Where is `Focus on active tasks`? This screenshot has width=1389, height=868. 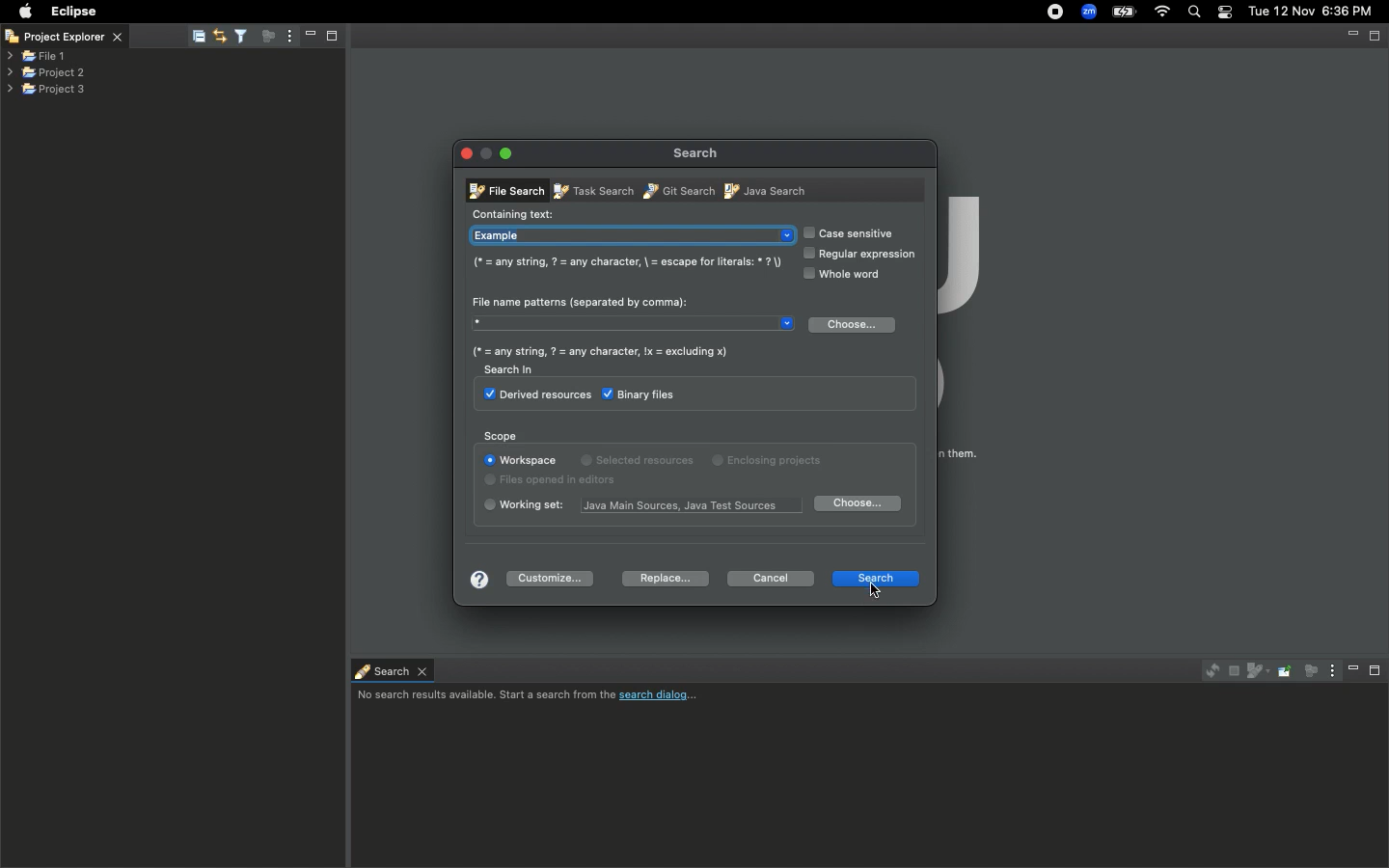 Focus on active tasks is located at coordinates (271, 40).